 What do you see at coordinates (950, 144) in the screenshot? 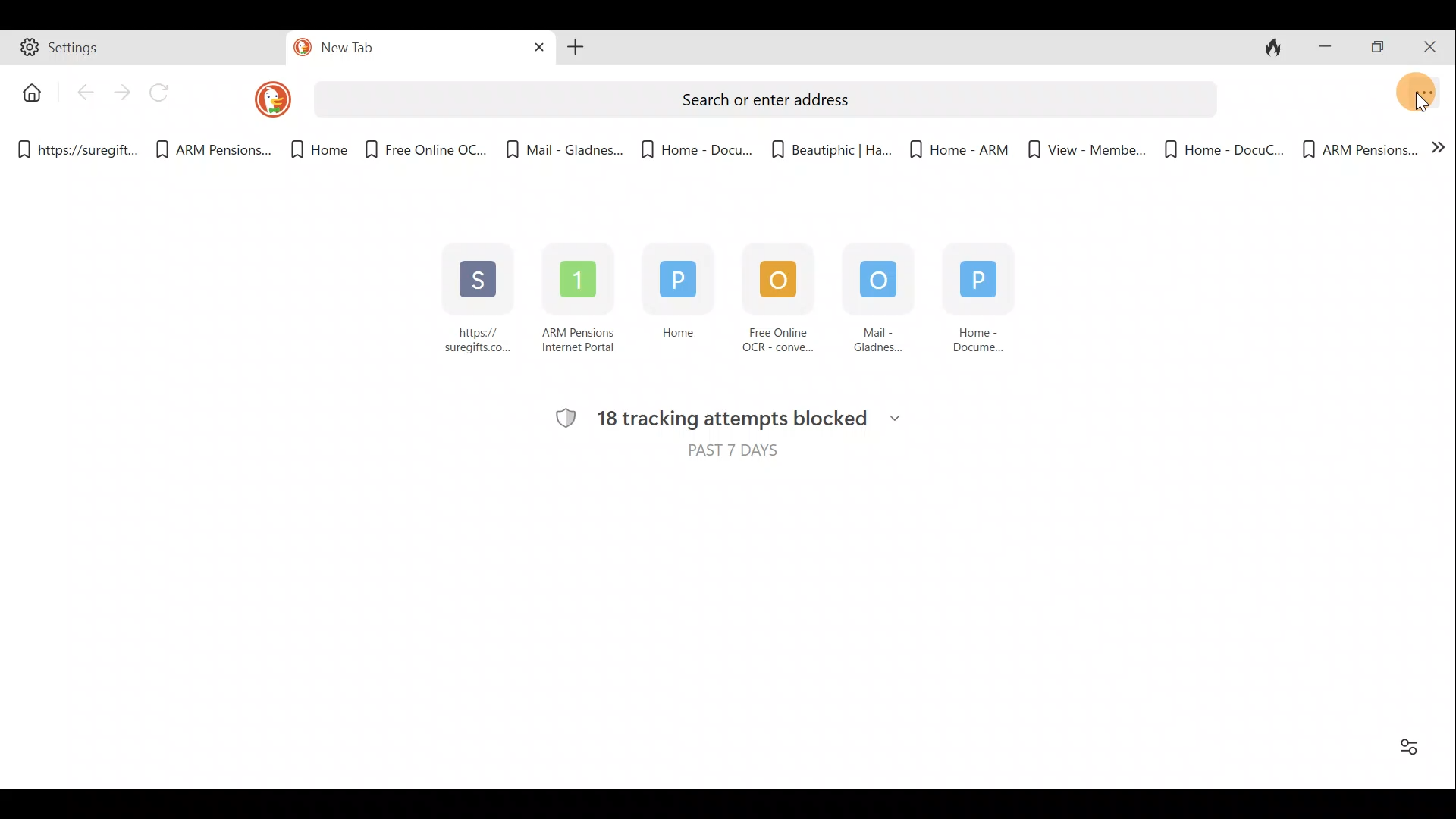
I see `Home - ARM` at bounding box center [950, 144].